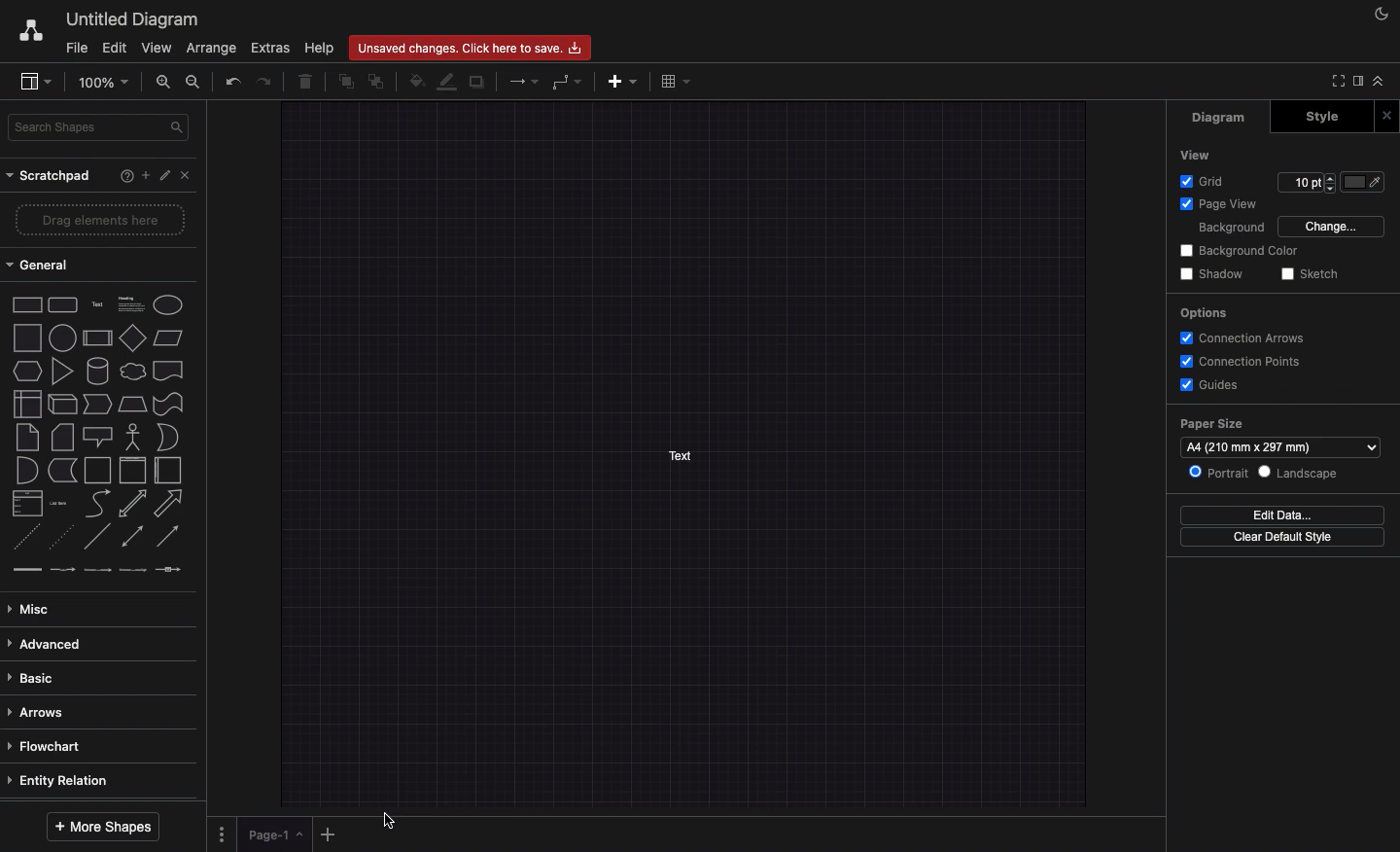 This screenshot has height=852, width=1400. I want to click on Arrows, so click(525, 83).